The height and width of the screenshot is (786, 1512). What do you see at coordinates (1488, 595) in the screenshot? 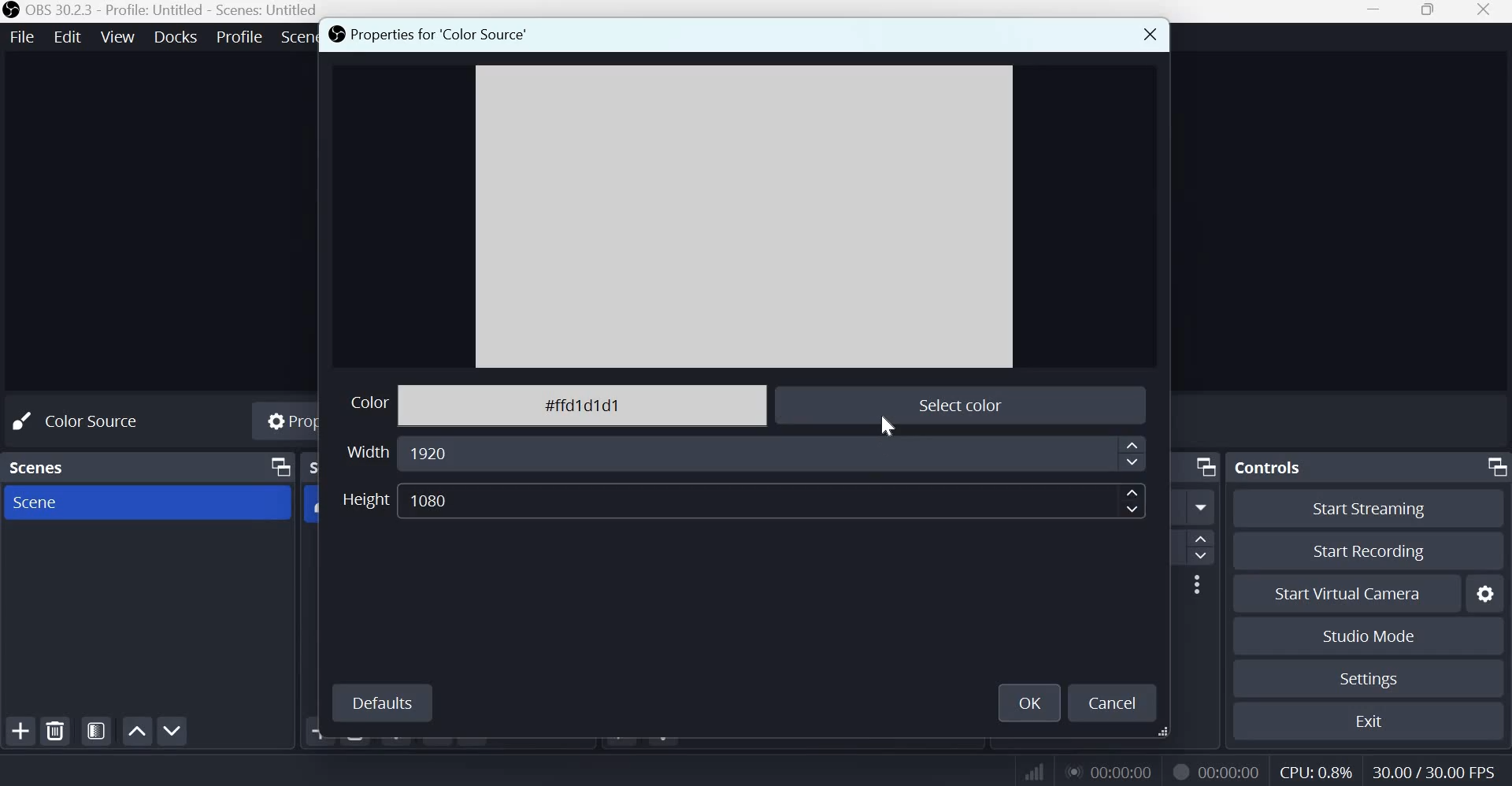
I see `Configure virtual camers` at bounding box center [1488, 595].